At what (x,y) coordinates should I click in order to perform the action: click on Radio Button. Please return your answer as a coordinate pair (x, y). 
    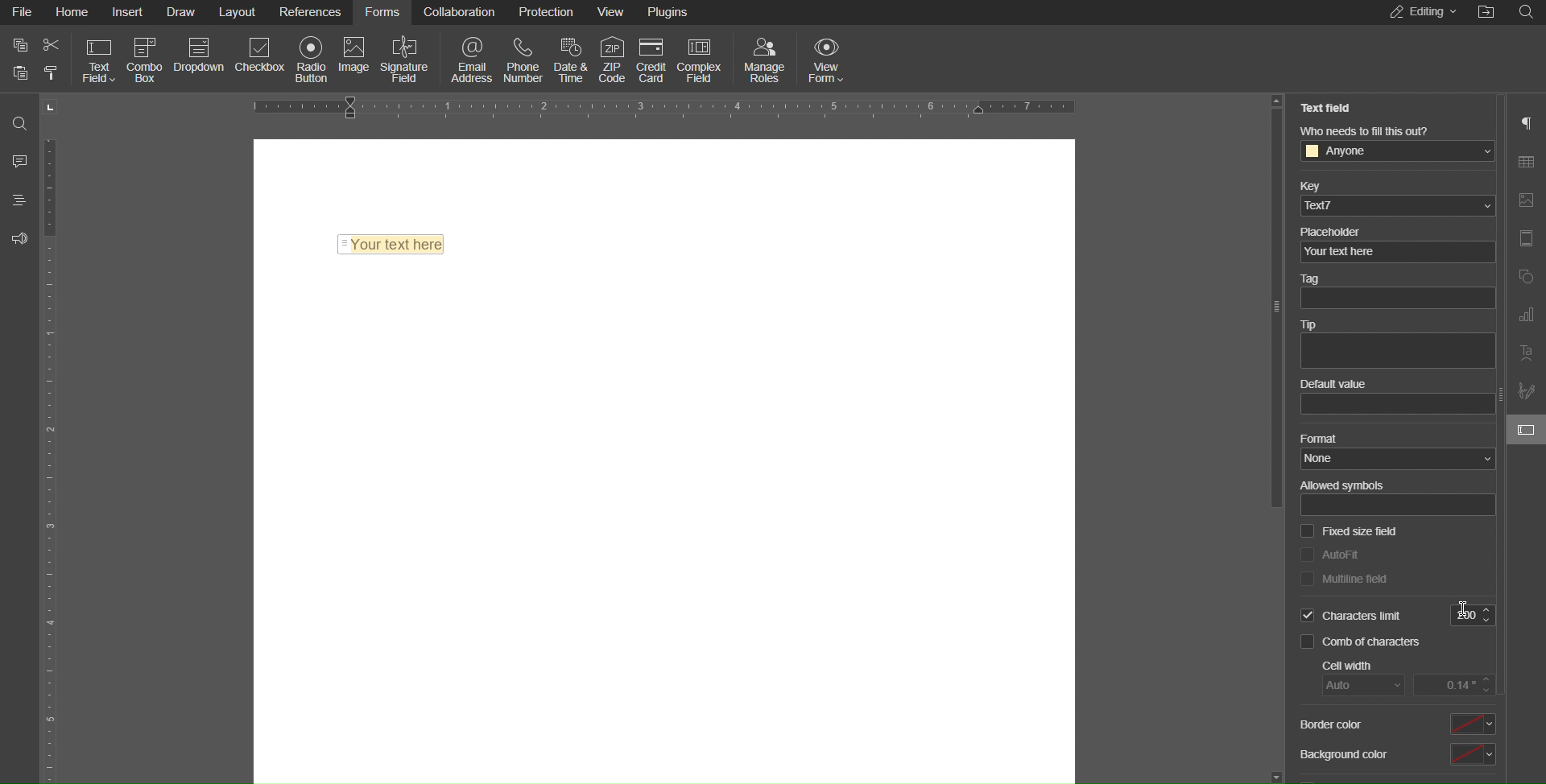
    Looking at the image, I should click on (317, 60).